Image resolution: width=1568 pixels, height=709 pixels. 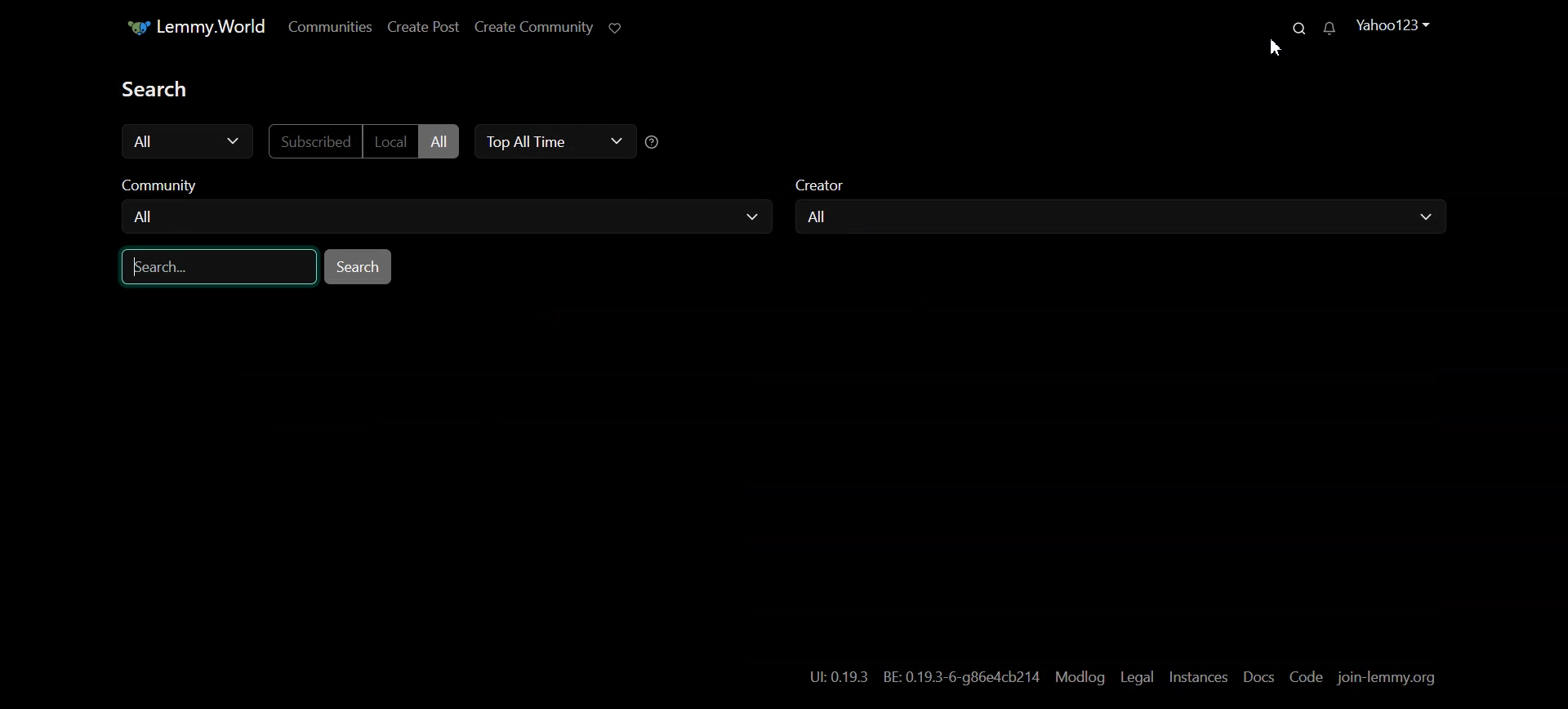 What do you see at coordinates (826, 184) in the screenshot?
I see `Creator` at bounding box center [826, 184].